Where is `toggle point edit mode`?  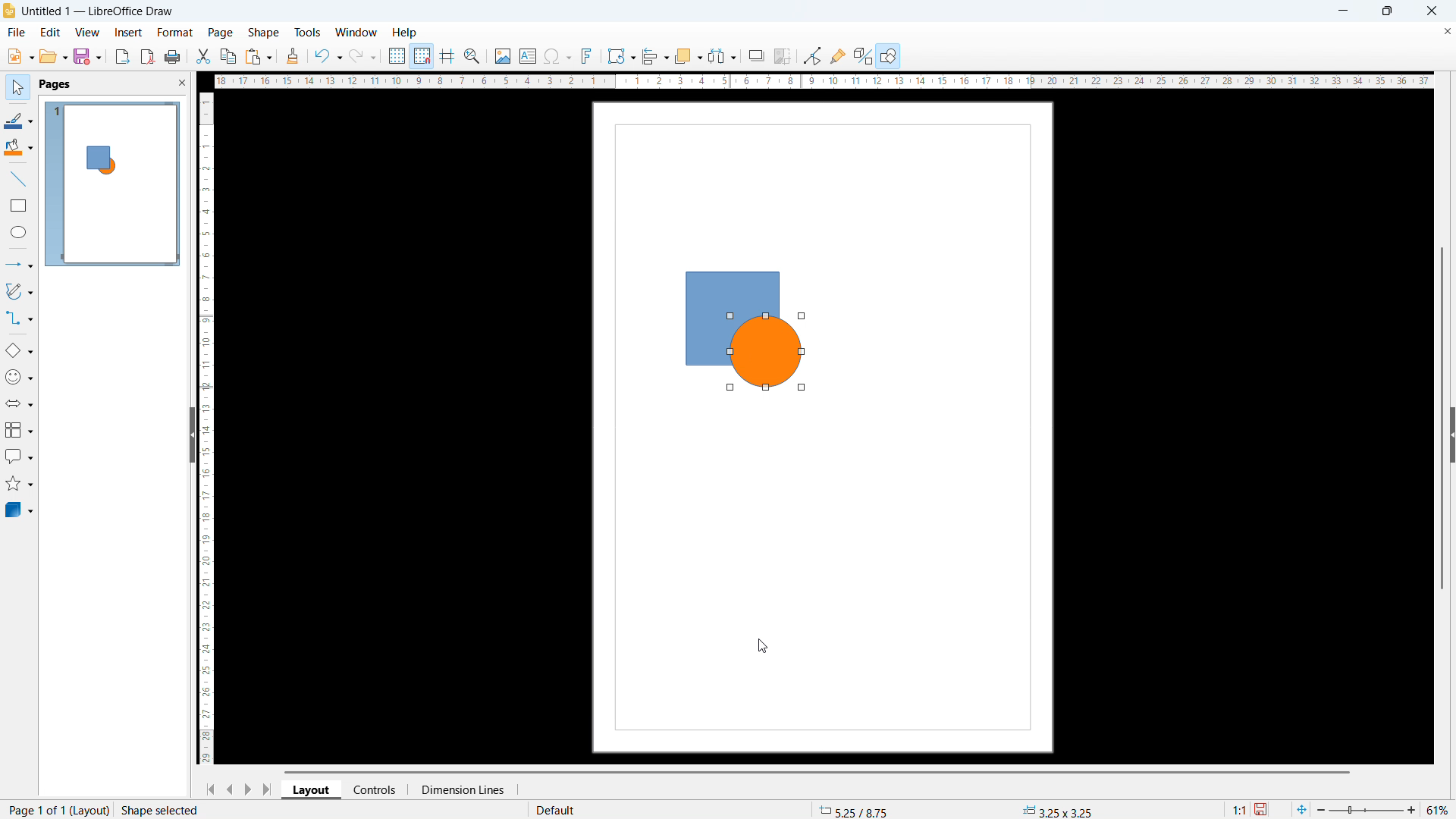
toggle point edit mode is located at coordinates (813, 56).